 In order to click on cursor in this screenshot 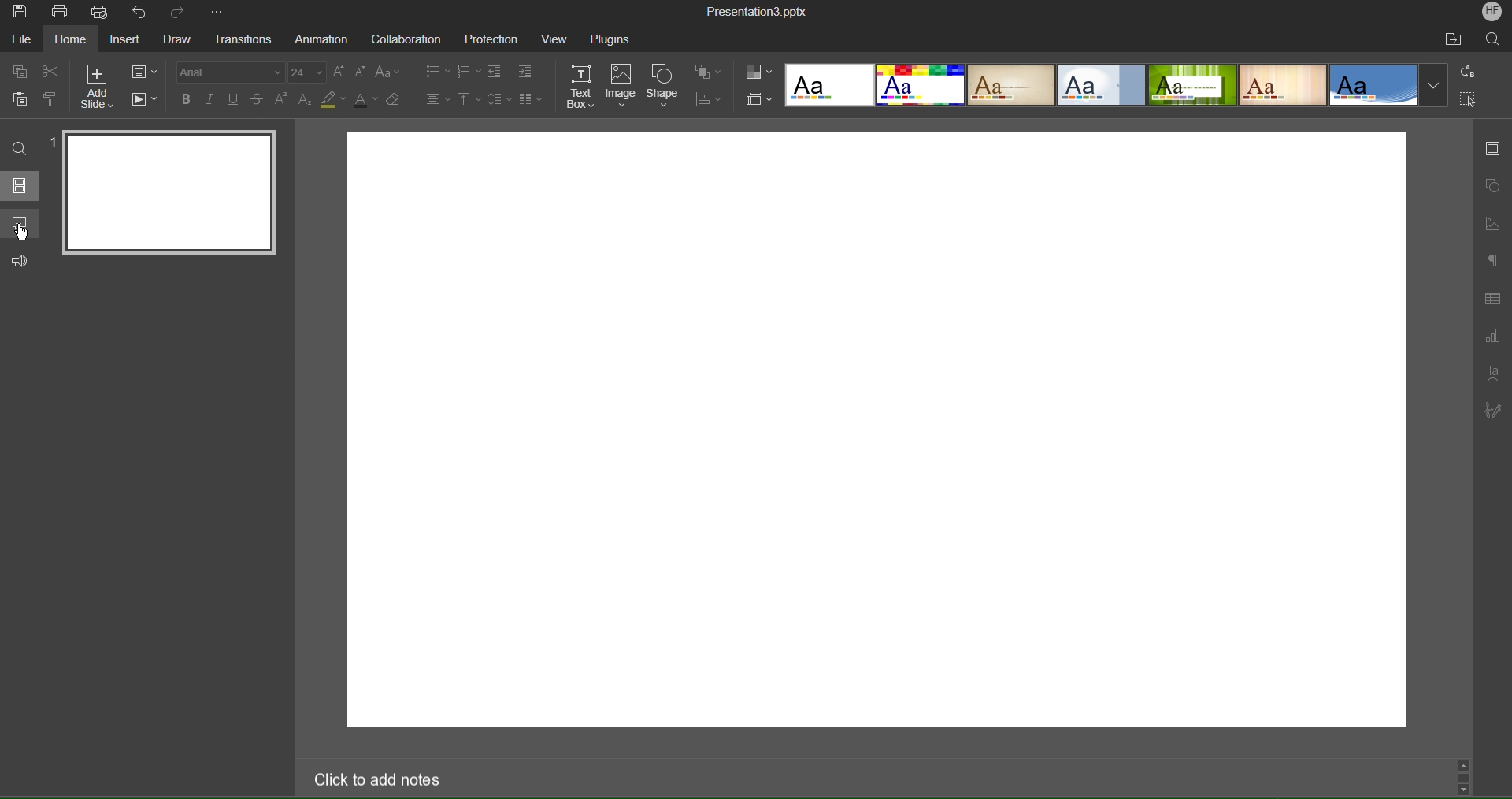, I will do `click(26, 233)`.